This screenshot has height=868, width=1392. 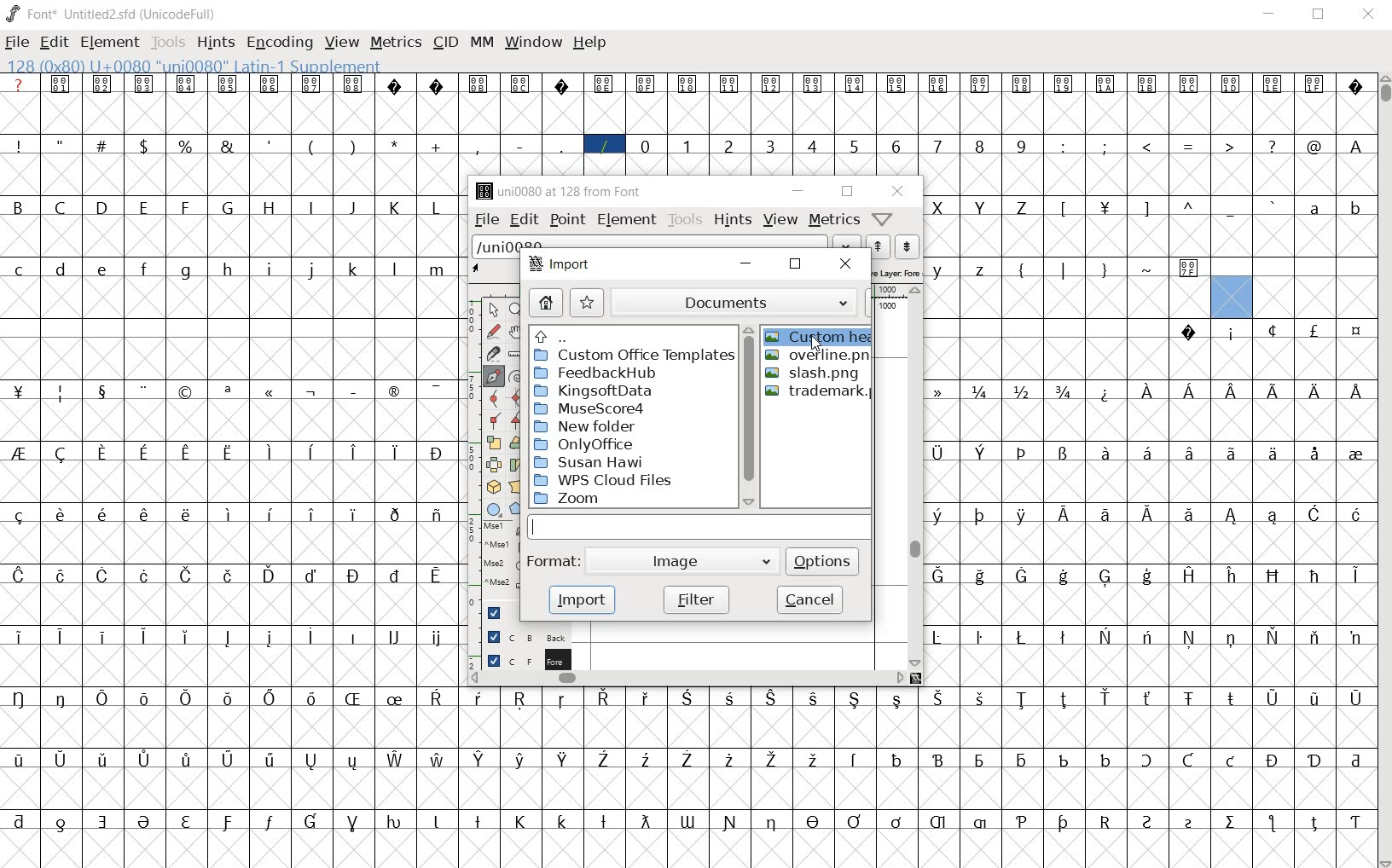 What do you see at coordinates (1229, 297) in the screenshot?
I see `glyph slot` at bounding box center [1229, 297].